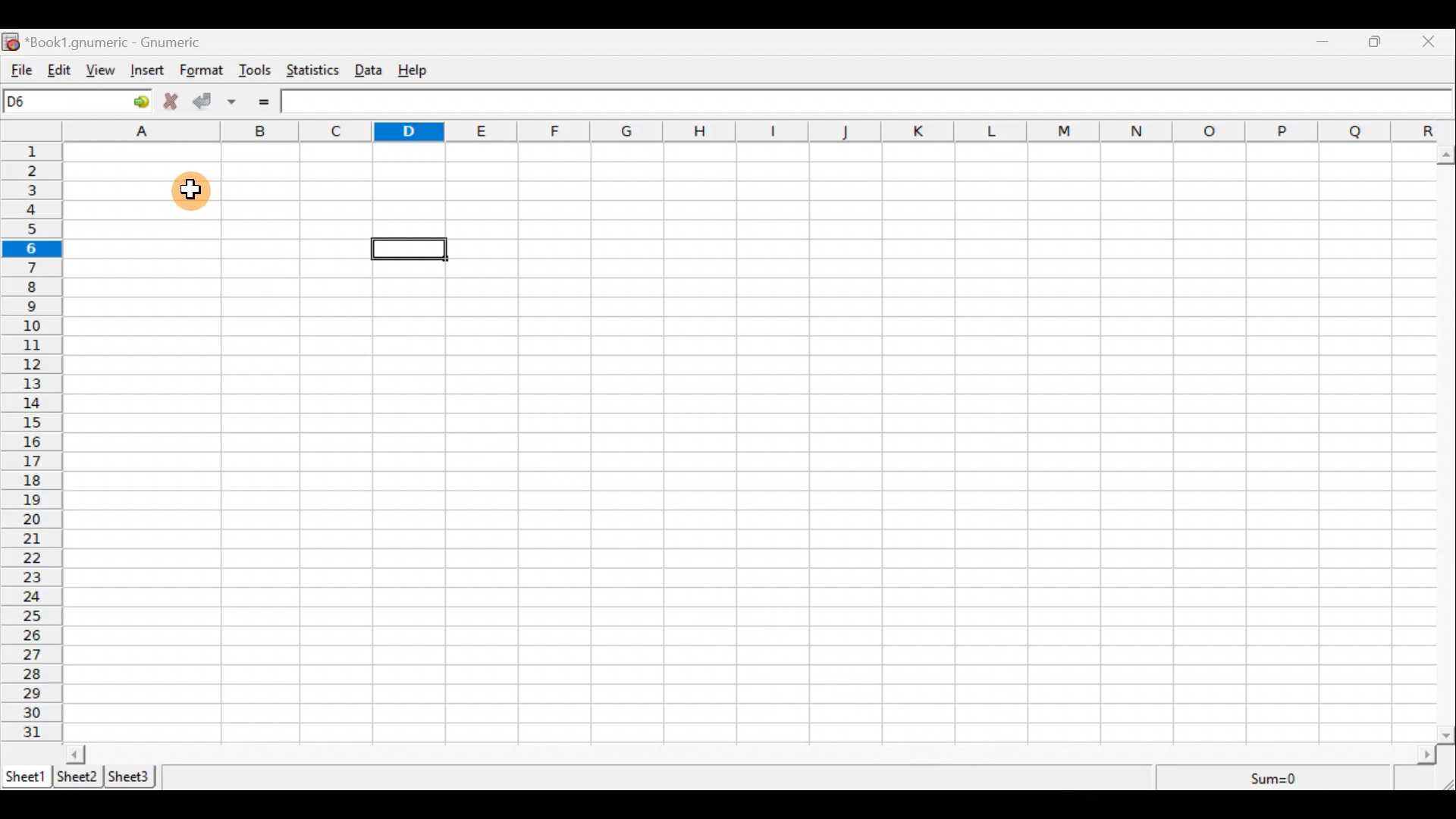  Describe the element at coordinates (409, 249) in the screenshot. I see `Selected cell` at that location.